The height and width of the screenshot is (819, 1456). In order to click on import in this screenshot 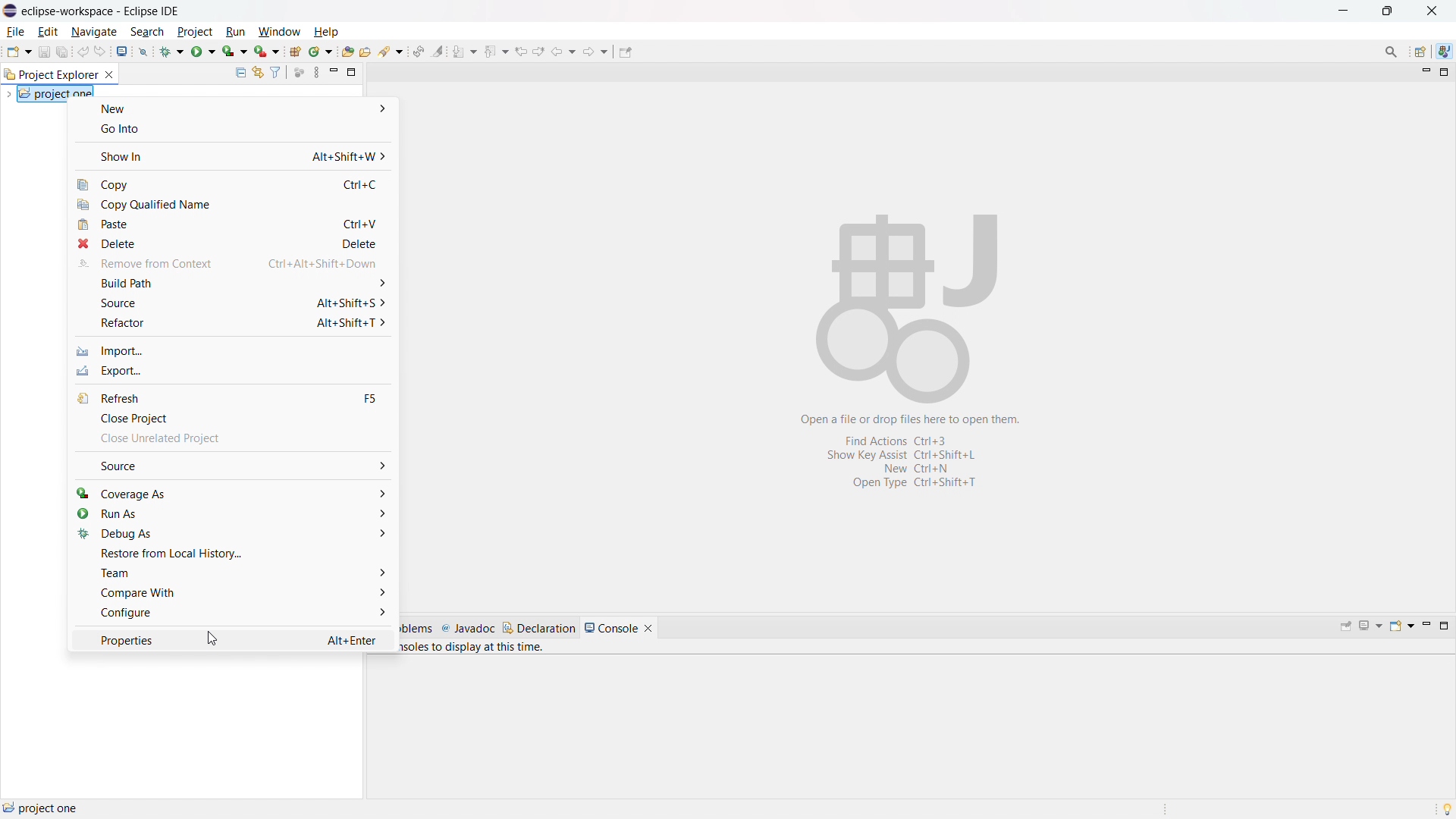, I will do `click(232, 351)`.